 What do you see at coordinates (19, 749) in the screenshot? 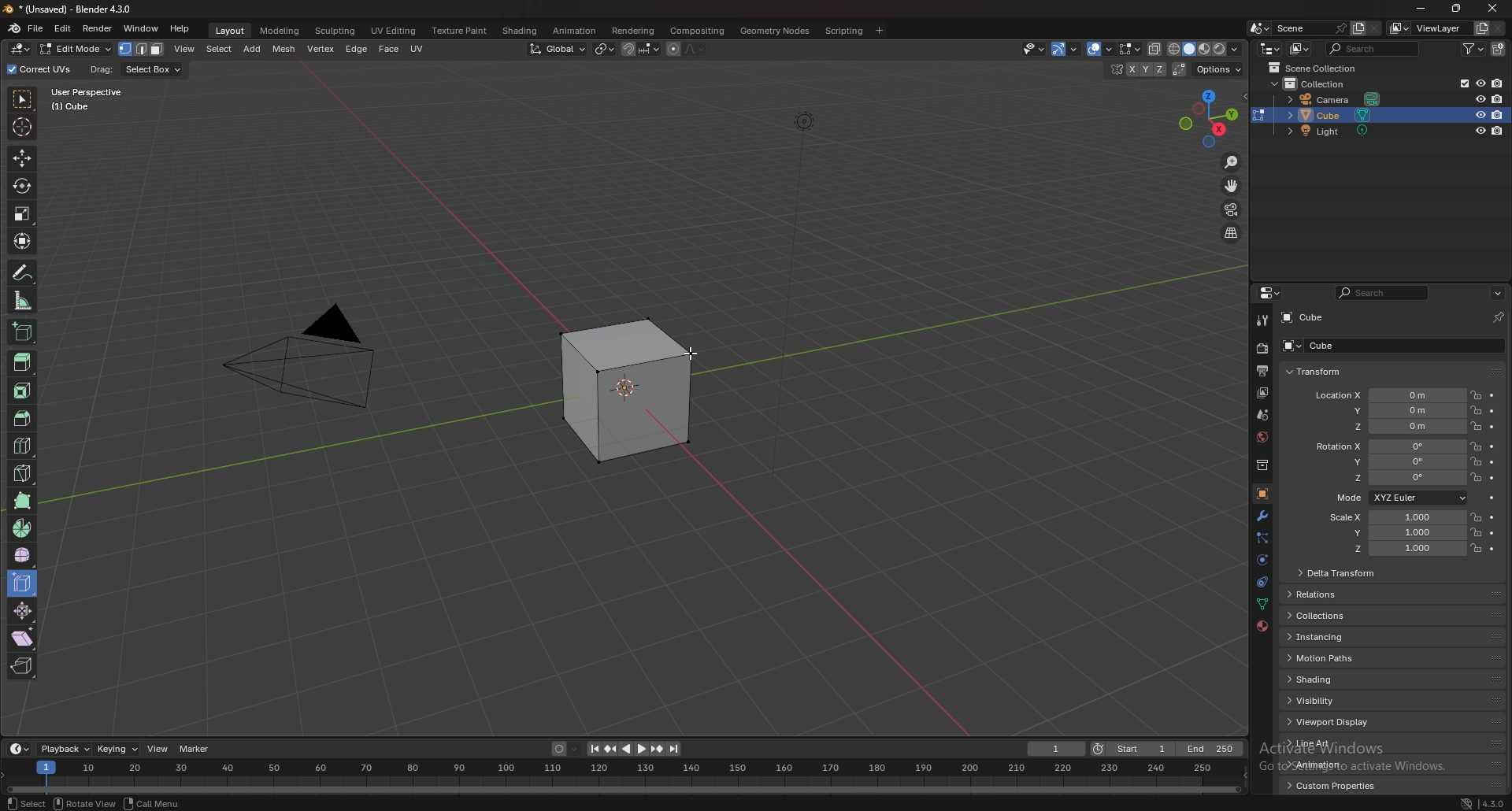
I see `editor type` at bounding box center [19, 749].